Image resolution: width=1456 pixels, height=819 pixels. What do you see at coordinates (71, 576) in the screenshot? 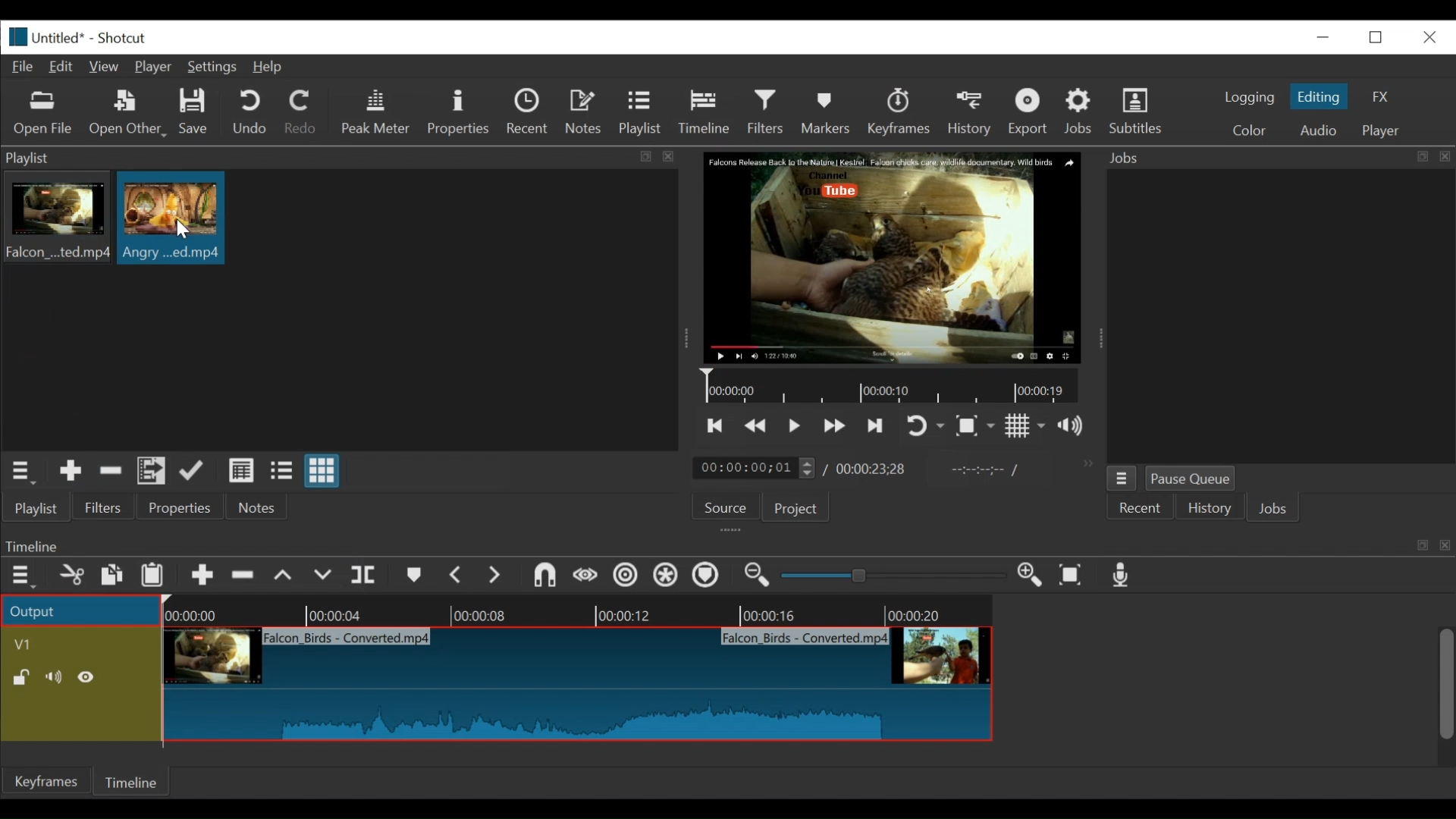
I see `cut` at bounding box center [71, 576].